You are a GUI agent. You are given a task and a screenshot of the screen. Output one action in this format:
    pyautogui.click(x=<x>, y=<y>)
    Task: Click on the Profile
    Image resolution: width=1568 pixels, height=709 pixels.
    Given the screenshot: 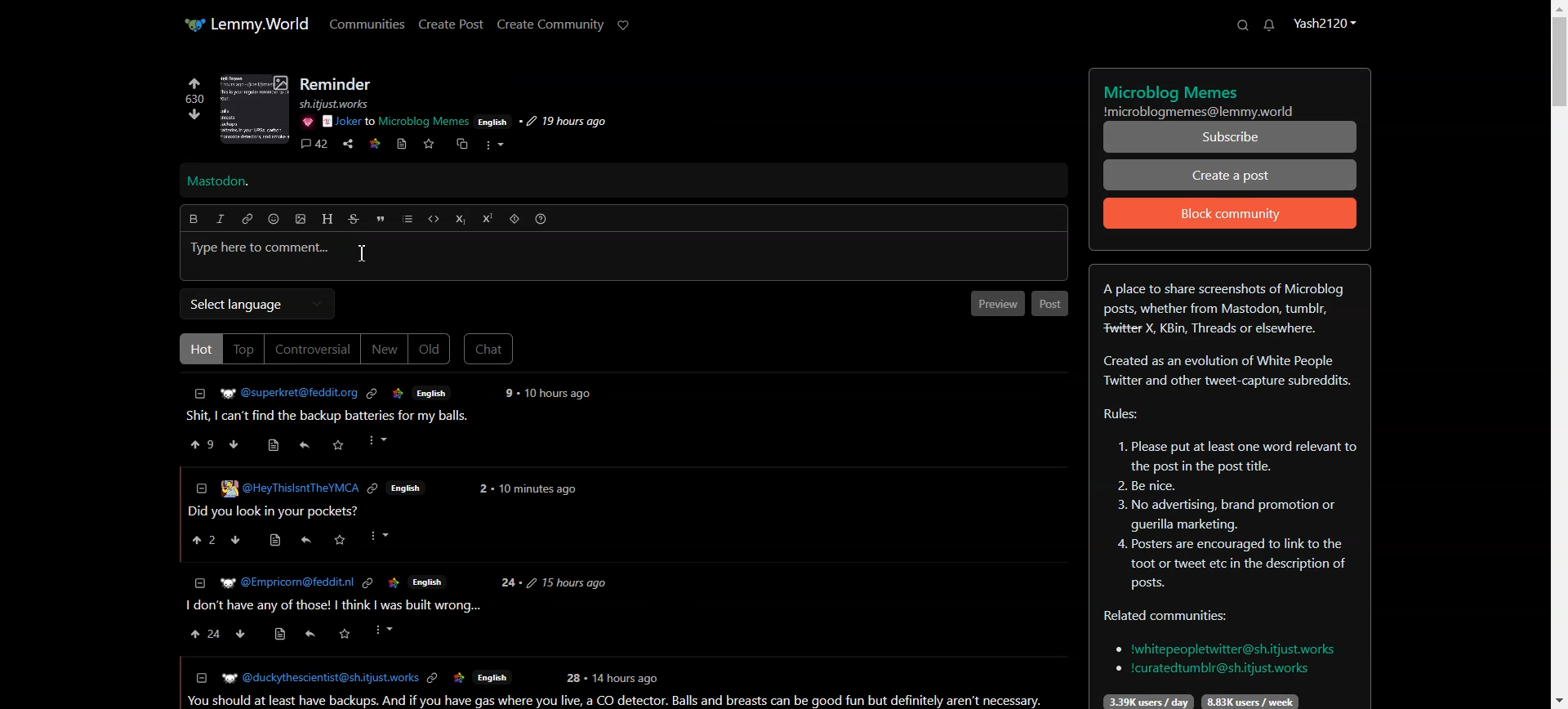 What is the action you would take?
    pyautogui.click(x=1324, y=22)
    